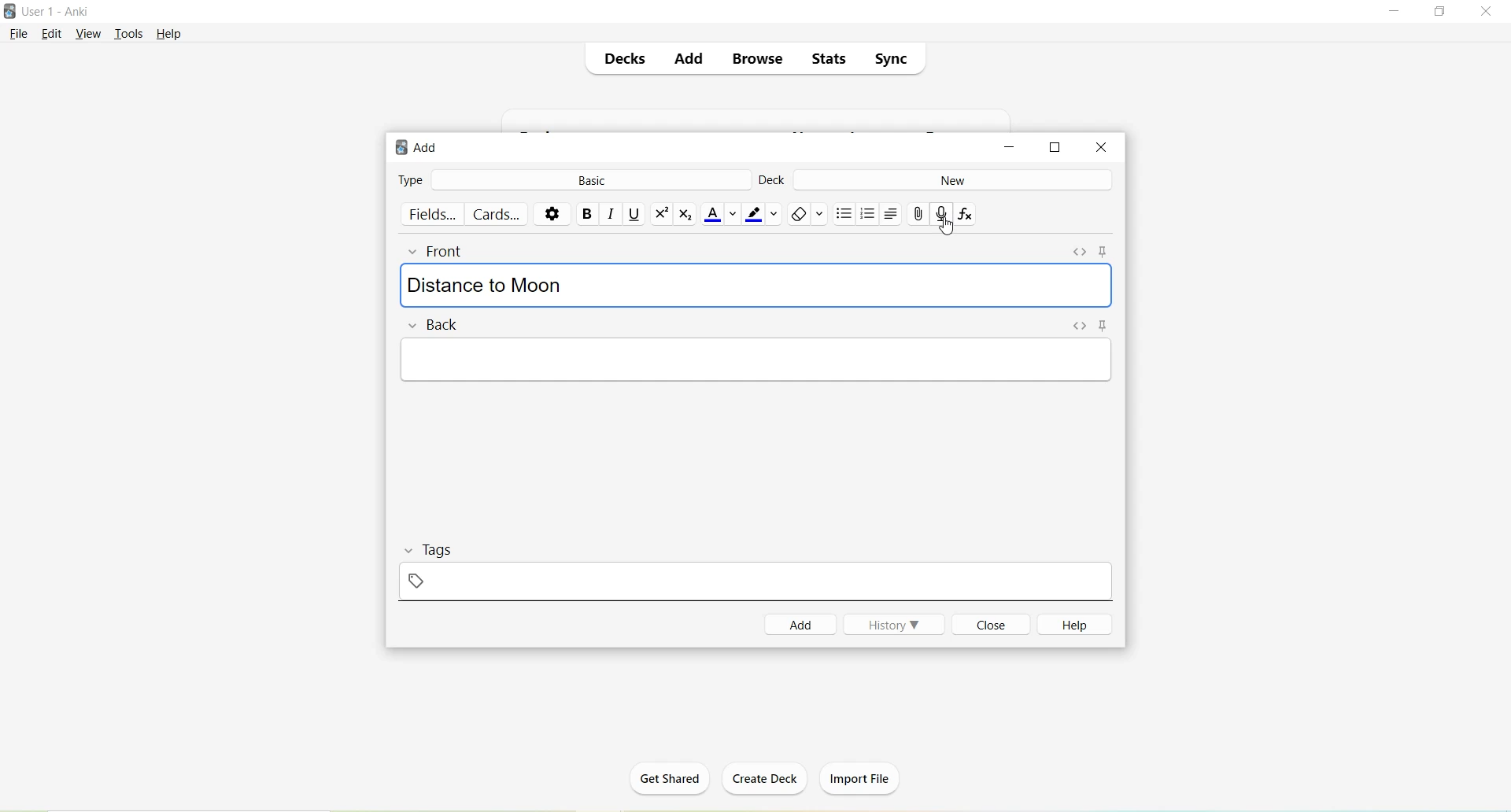 The height and width of the screenshot is (812, 1511). I want to click on Subscript, so click(686, 214).